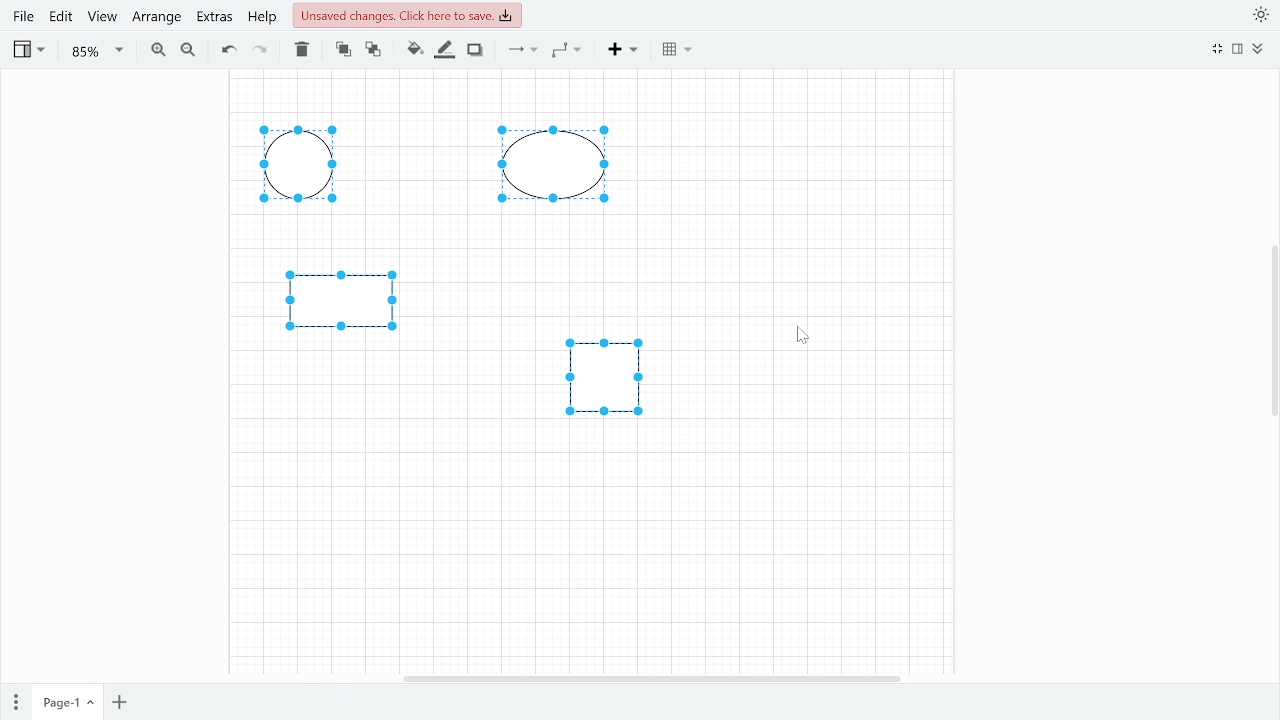  Describe the element at coordinates (62, 18) in the screenshot. I see `` at that location.